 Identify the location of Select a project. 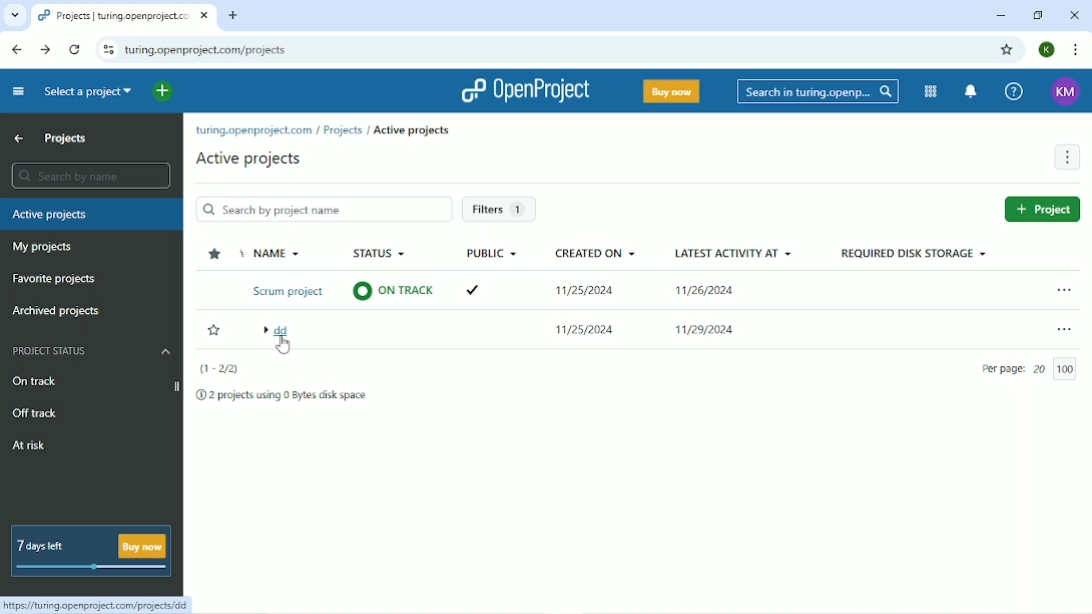
(88, 91).